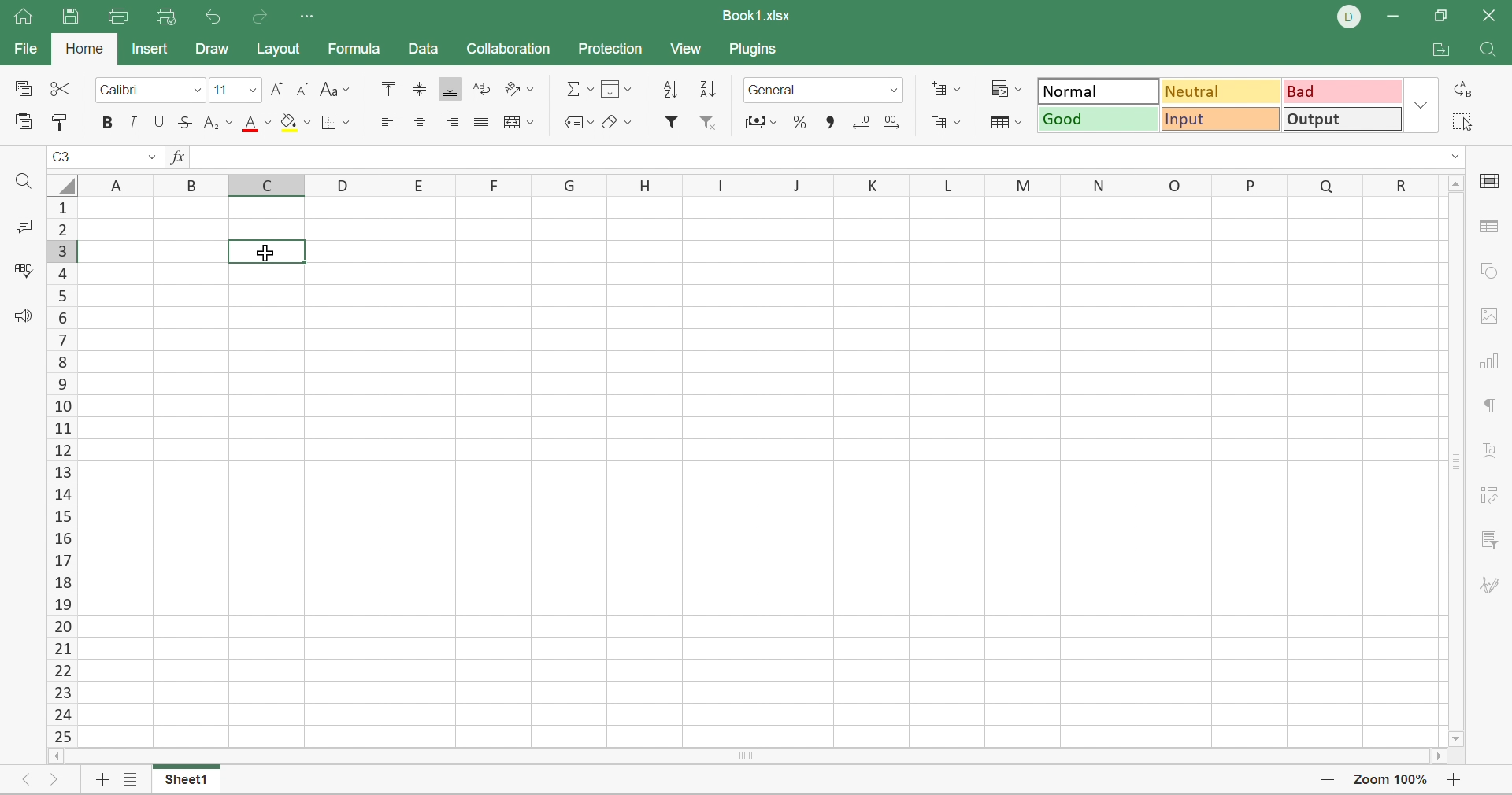  Describe the element at coordinates (261, 257) in the screenshot. I see `Cursor` at that location.